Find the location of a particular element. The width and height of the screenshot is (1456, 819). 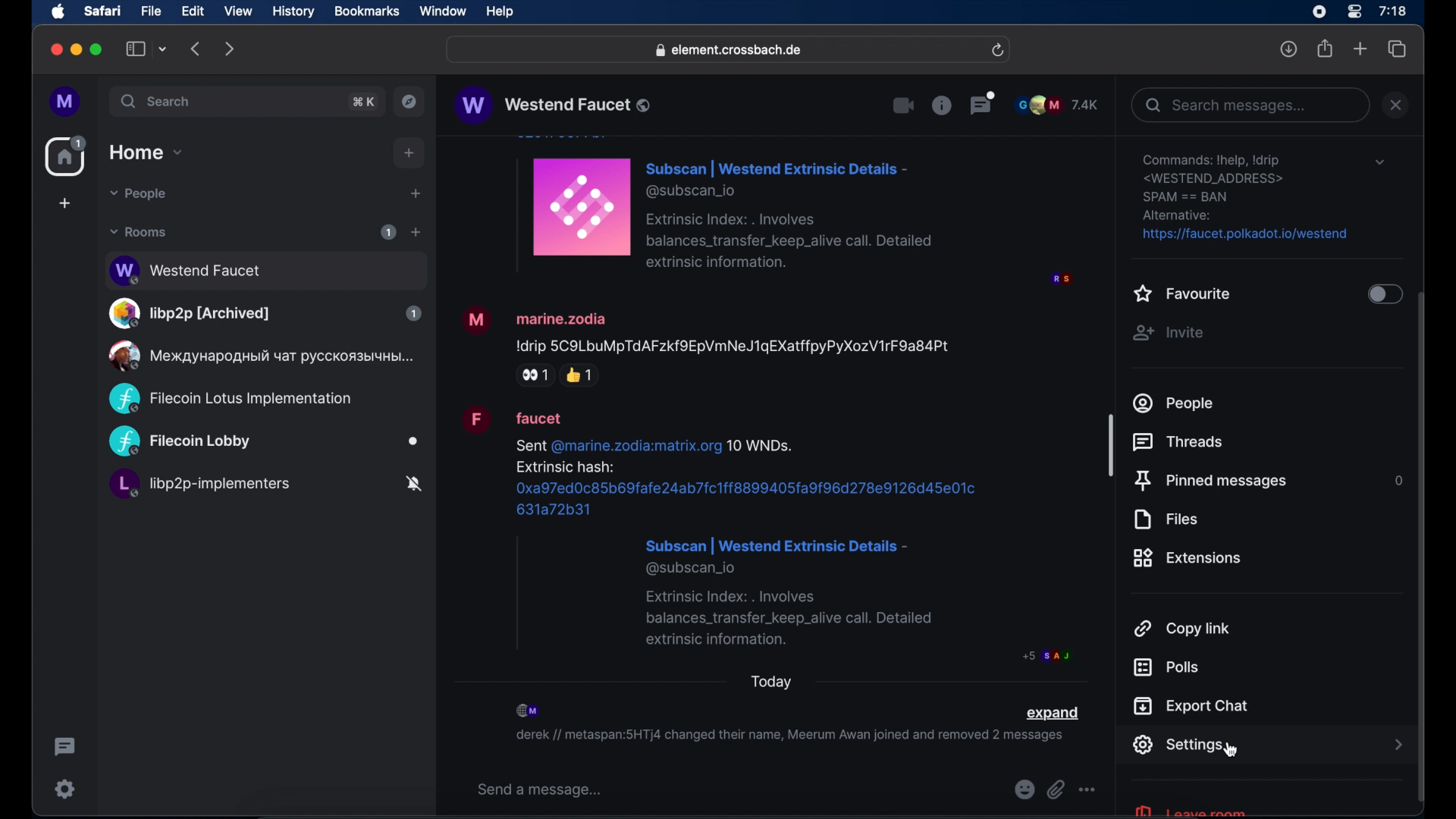

information is located at coordinates (941, 105).